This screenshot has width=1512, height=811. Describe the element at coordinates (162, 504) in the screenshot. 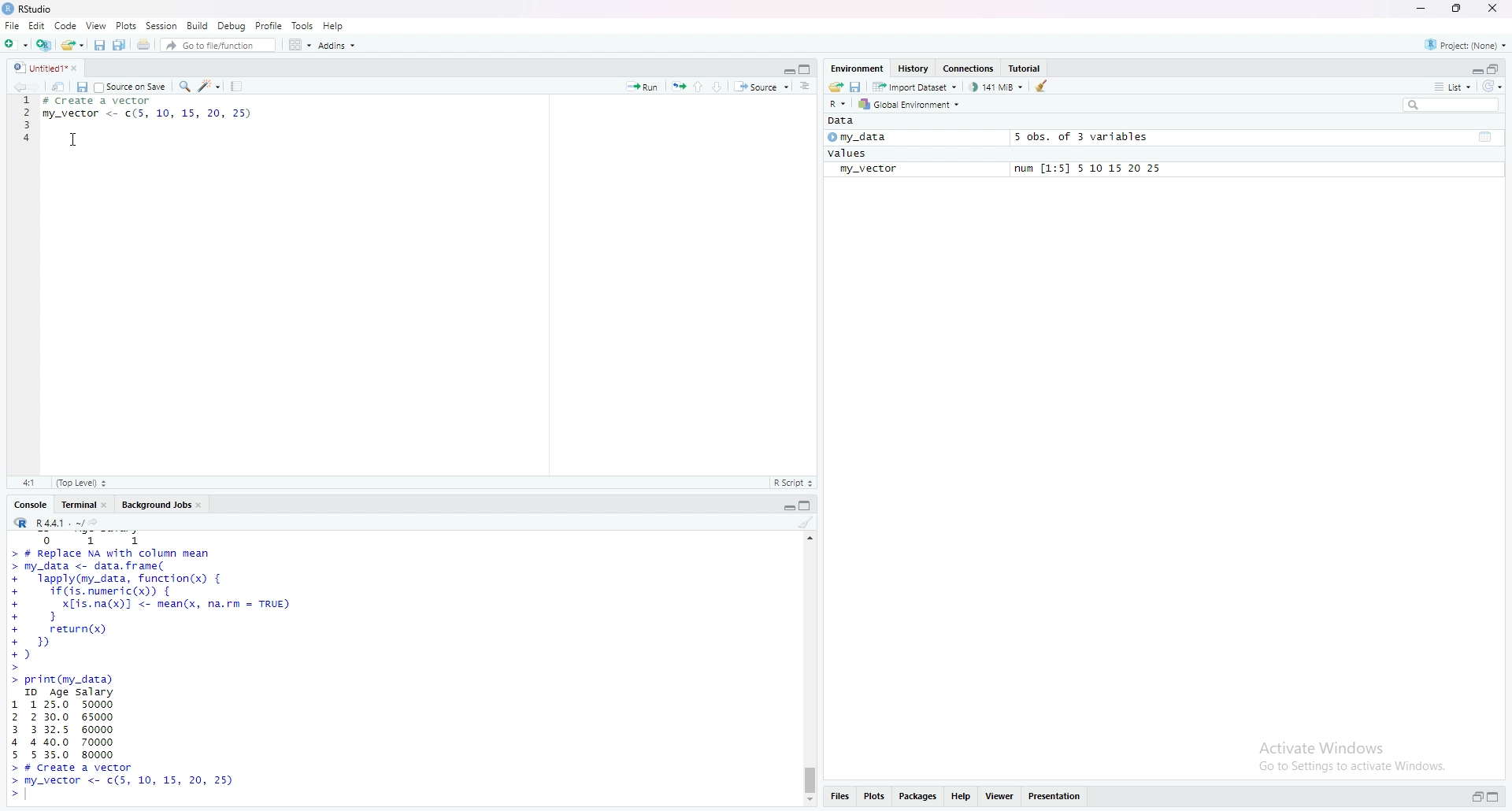

I see `Background jobs` at that location.